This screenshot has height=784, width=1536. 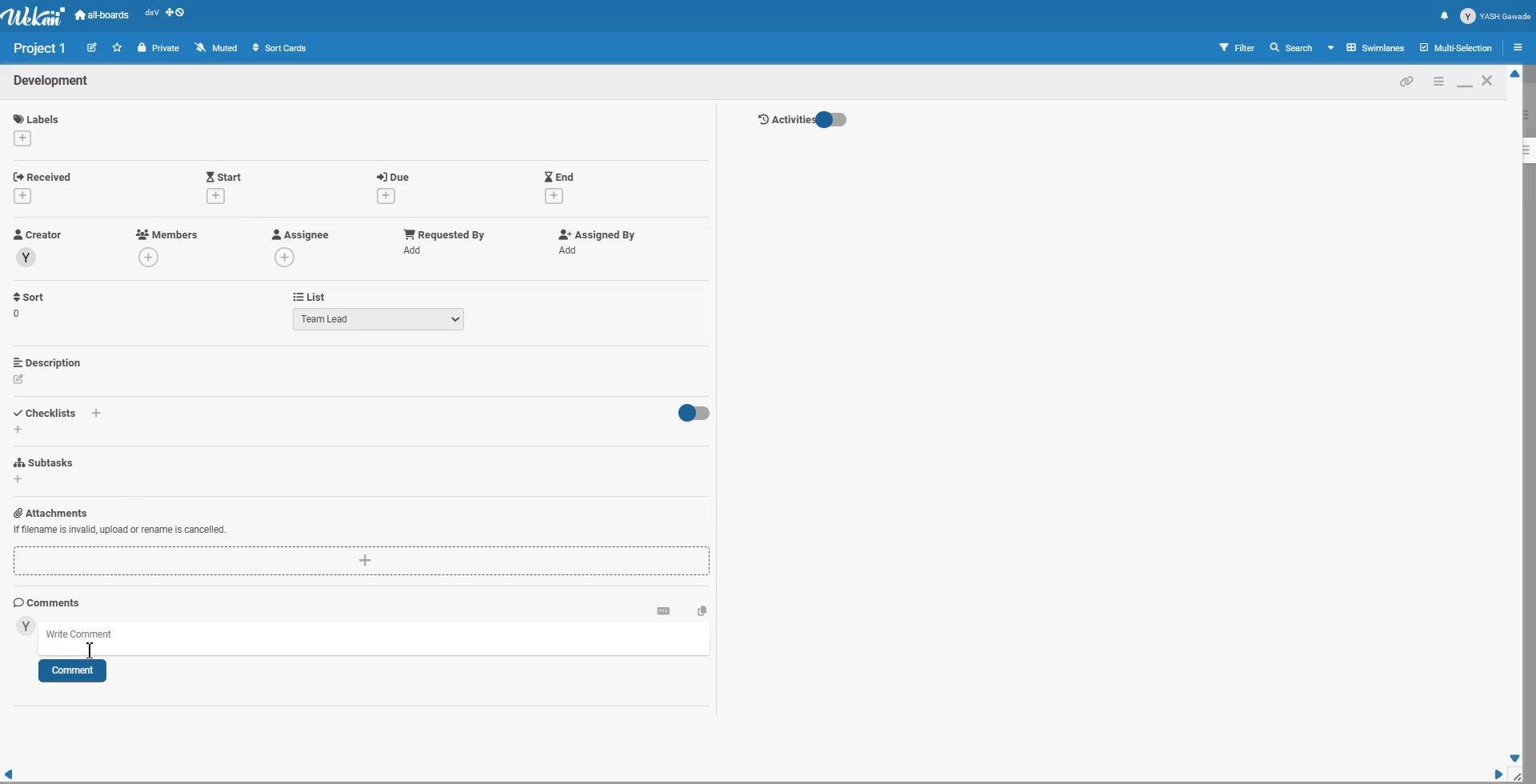 What do you see at coordinates (554, 197) in the screenshot?
I see `add` at bounding box center [554, 197].